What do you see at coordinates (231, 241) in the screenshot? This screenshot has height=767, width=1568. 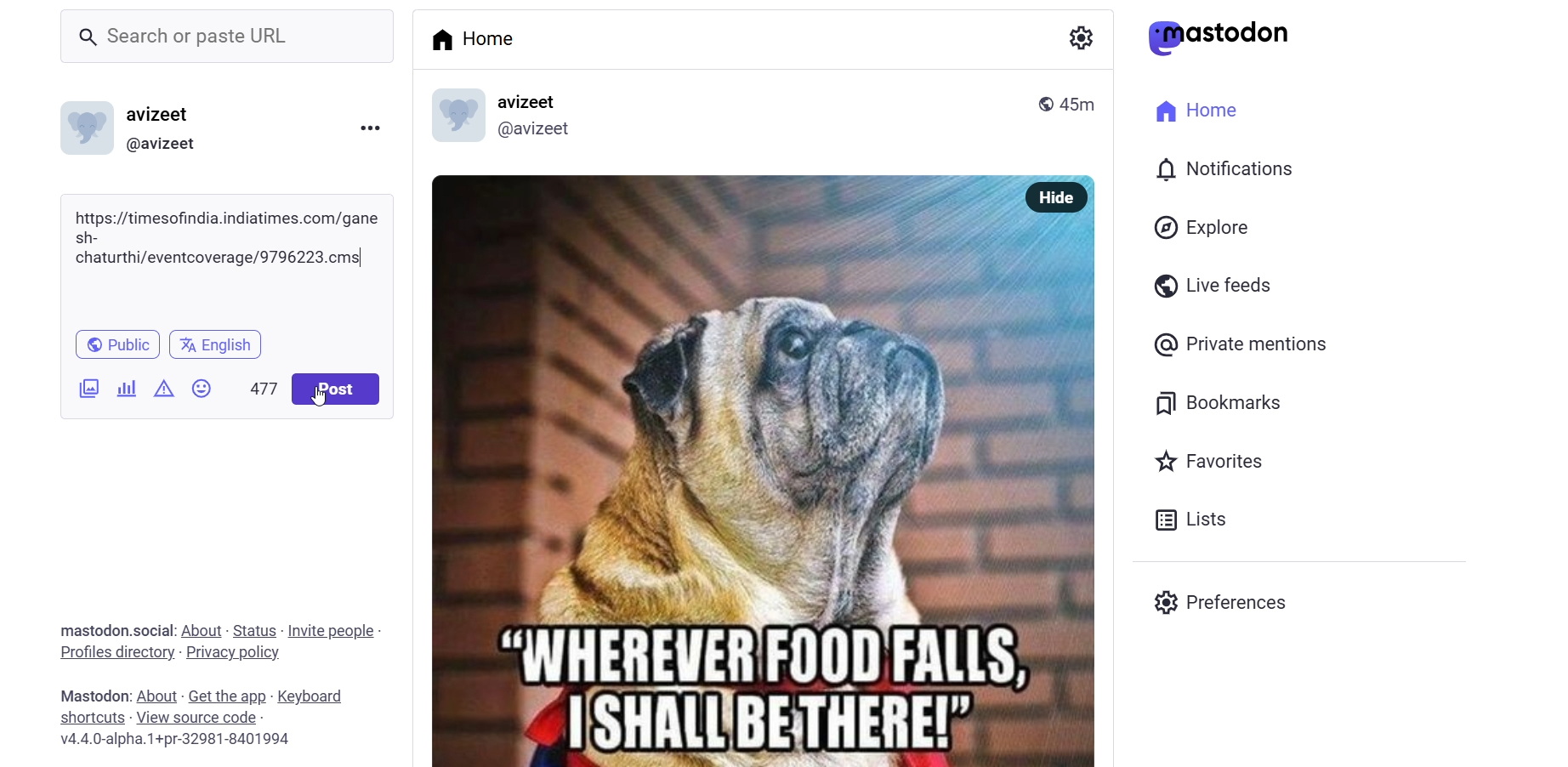 I see `article link` at bounding box center [231, 241].